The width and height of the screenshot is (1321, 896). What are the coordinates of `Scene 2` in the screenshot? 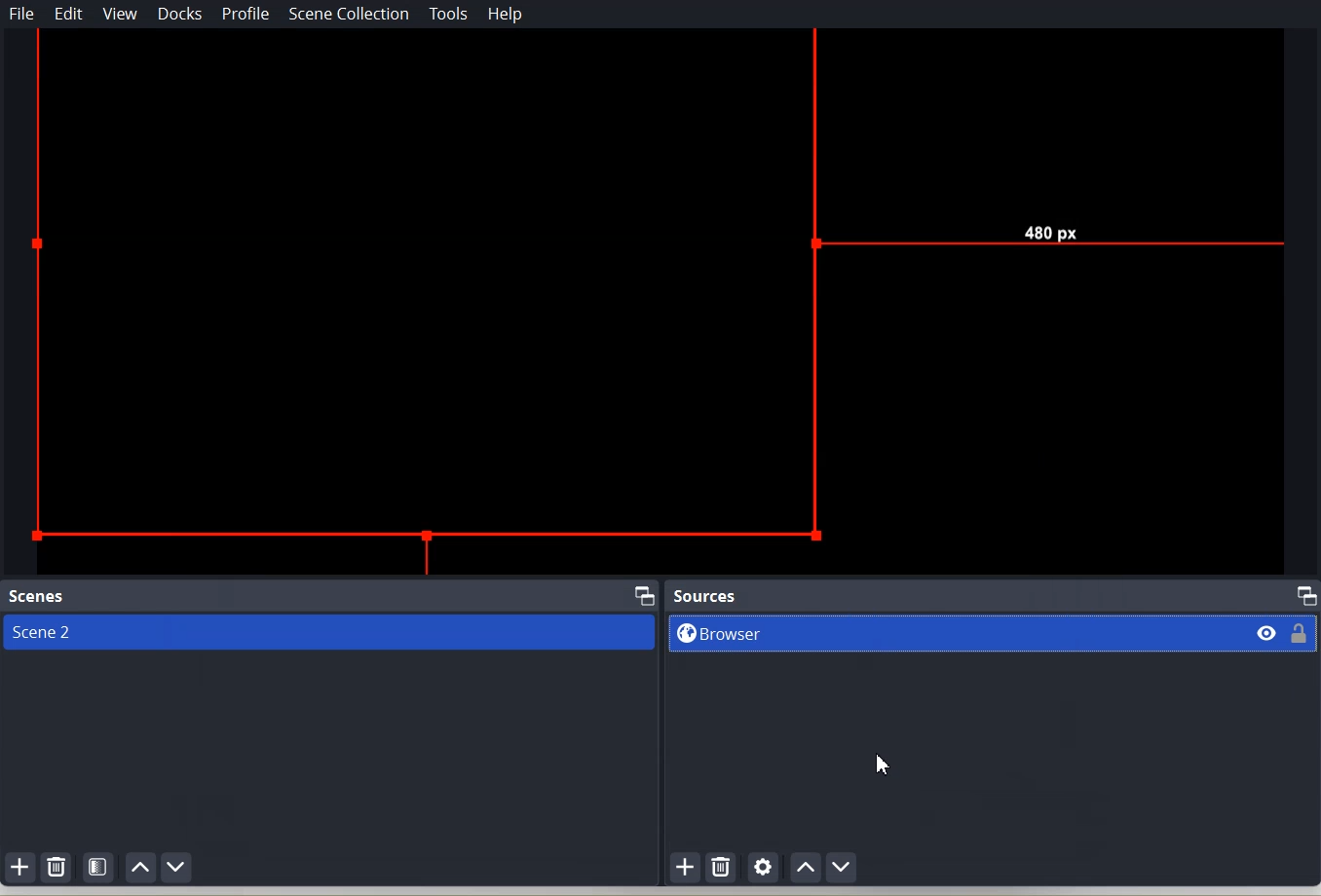 It's located at (327, 633).